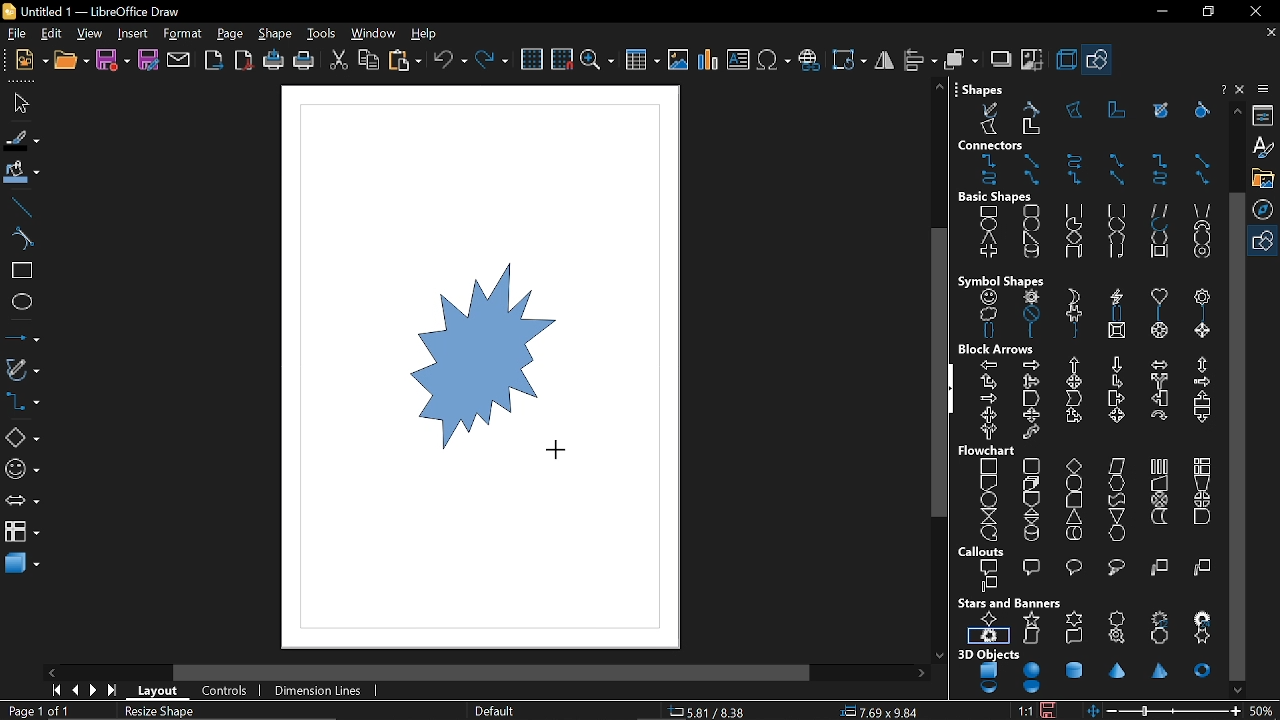  What do you see at coordinates (22, 532) in the screenshot?
I see `flowchart` at bounding box center [22, 532].